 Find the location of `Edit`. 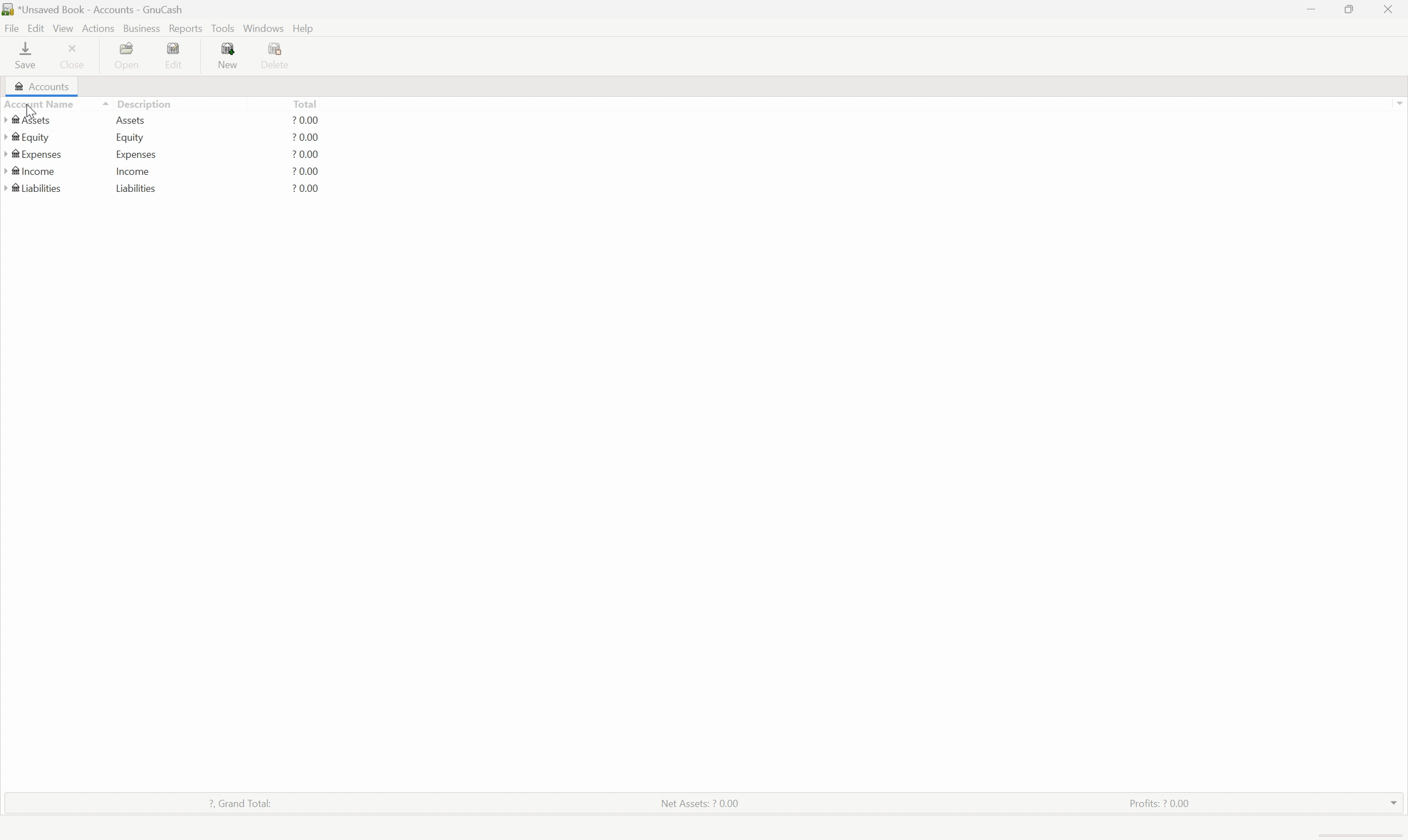

Edit is located at coordinates (35, 27).